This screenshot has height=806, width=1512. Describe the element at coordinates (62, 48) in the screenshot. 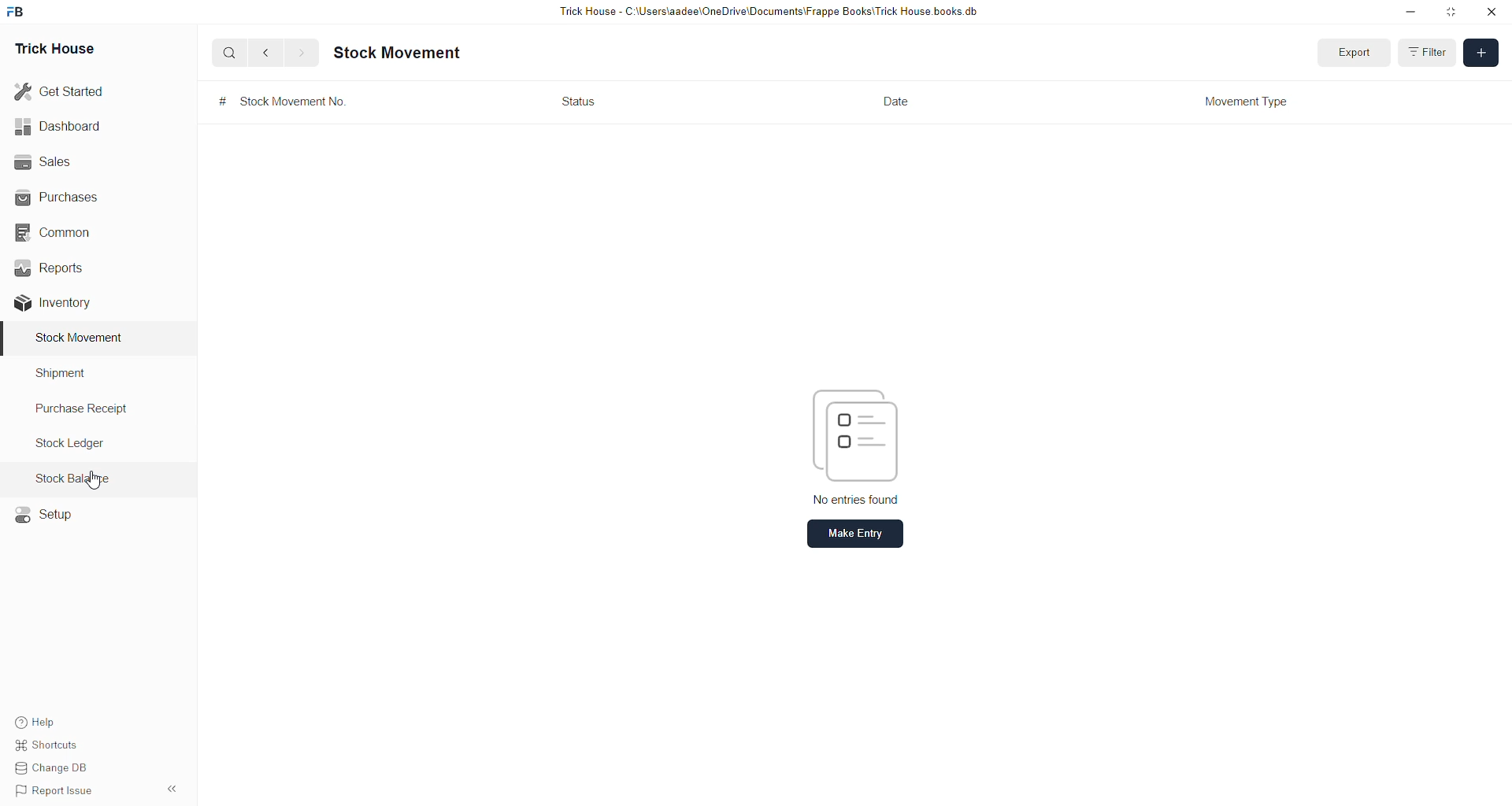

I see `Trick House` at that location.